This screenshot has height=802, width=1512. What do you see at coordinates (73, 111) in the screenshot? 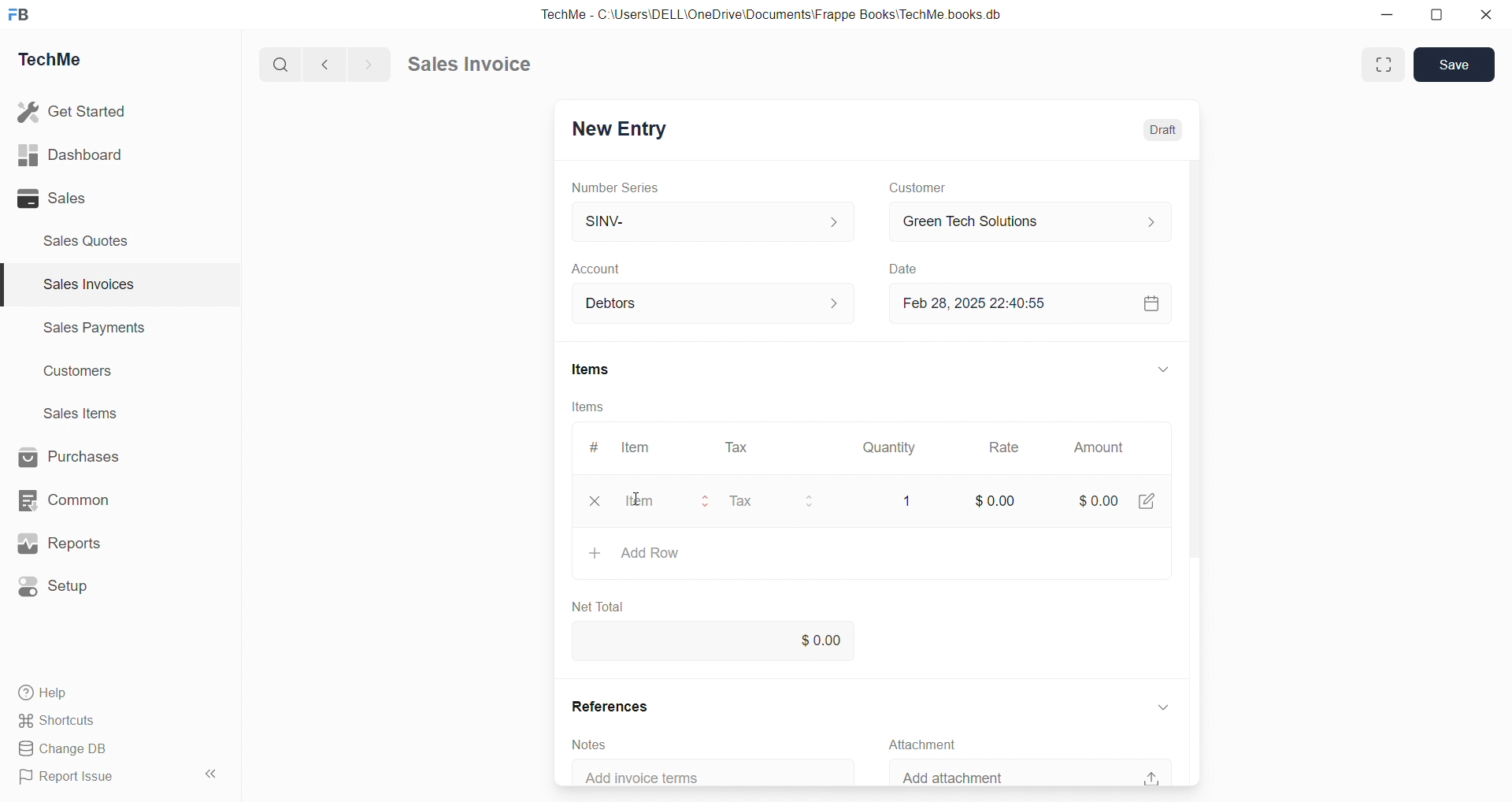
I see `Get Started` at bounding box center [73, 111].